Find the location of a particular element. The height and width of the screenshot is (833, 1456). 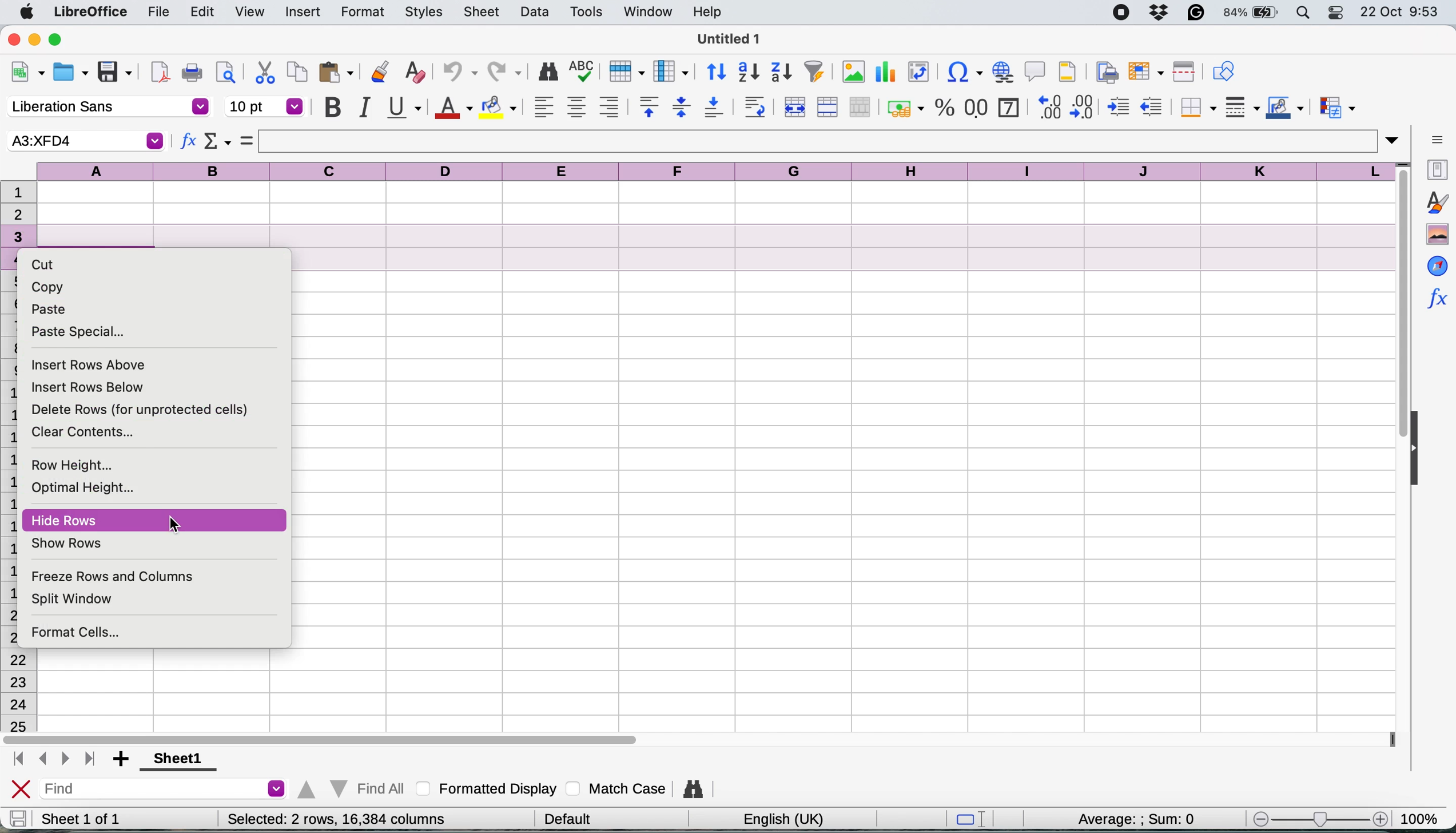

sheet is located at coordinates (483, 11).